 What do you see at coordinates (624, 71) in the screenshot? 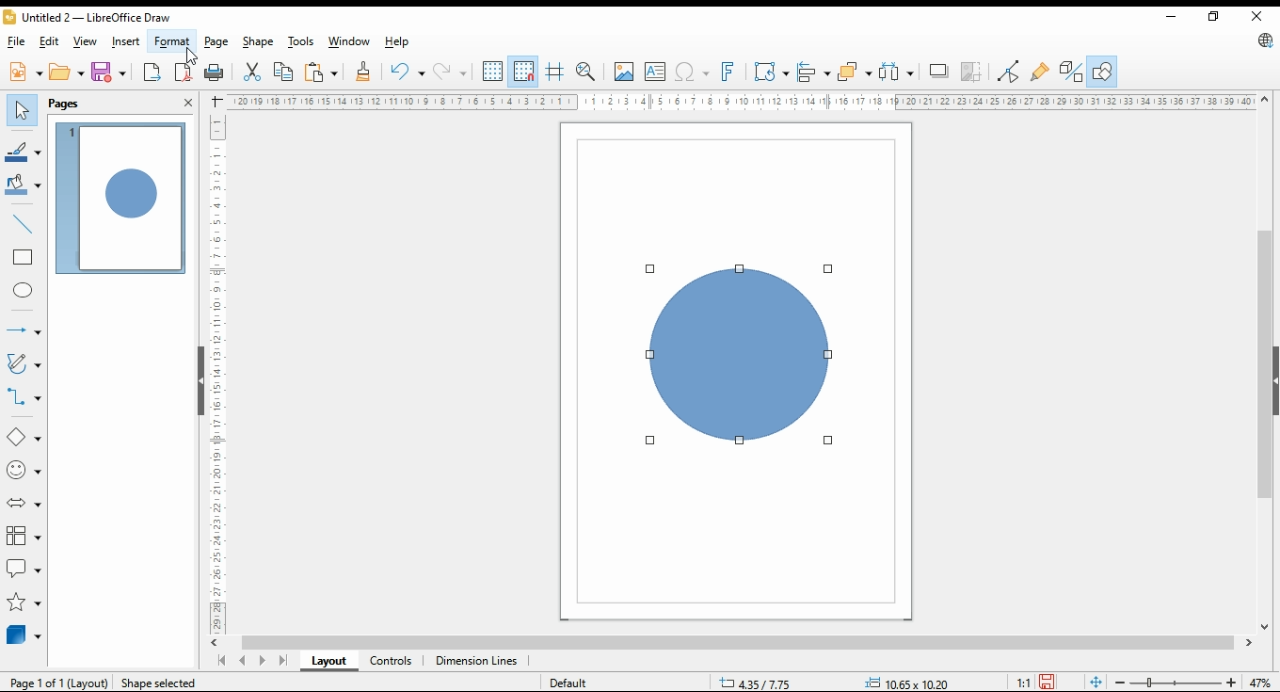
I see `insert image` at bounding box center [624, 71].